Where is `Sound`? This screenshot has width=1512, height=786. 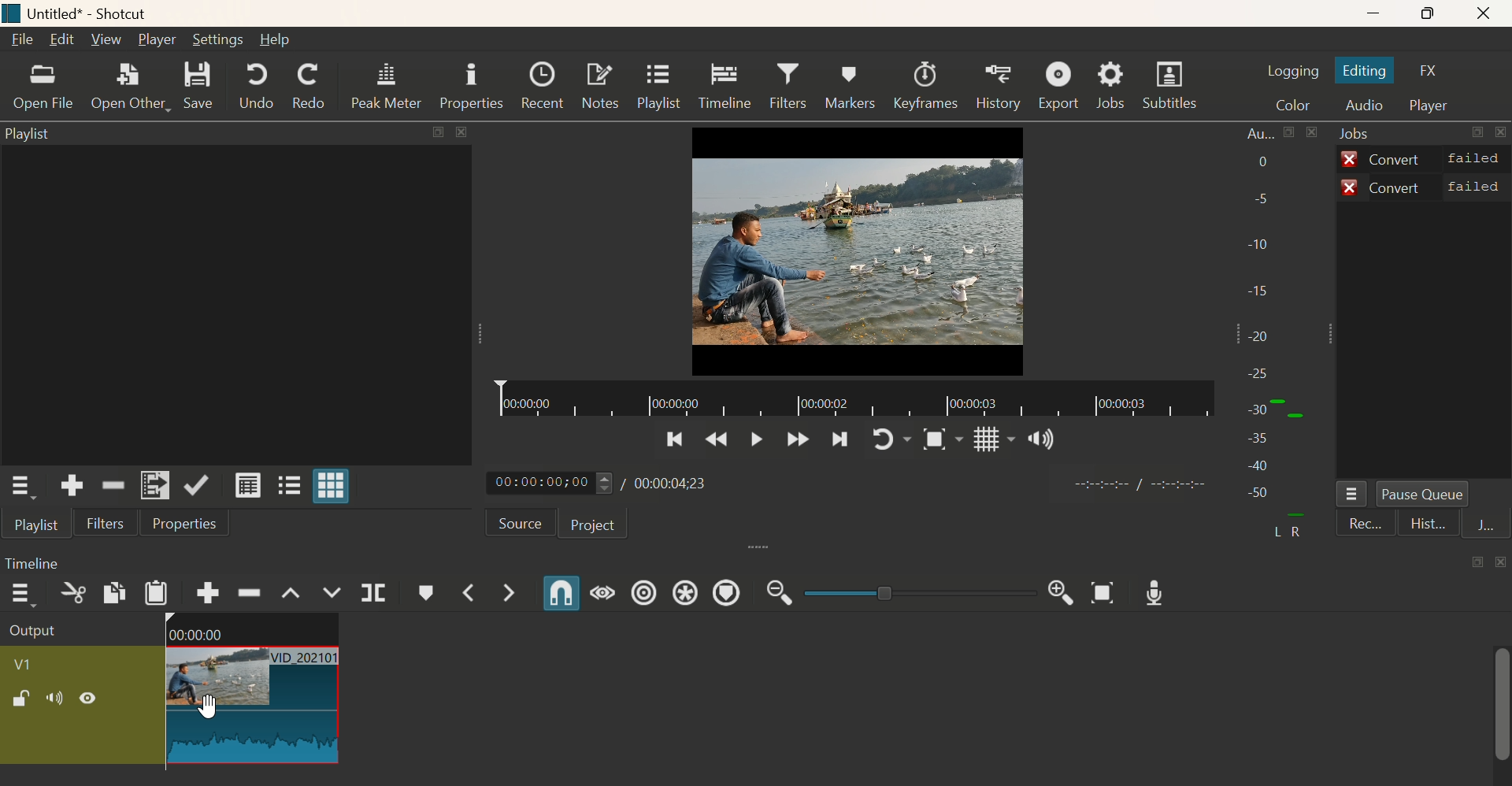 Sound is located at coordinates (1039, 439).